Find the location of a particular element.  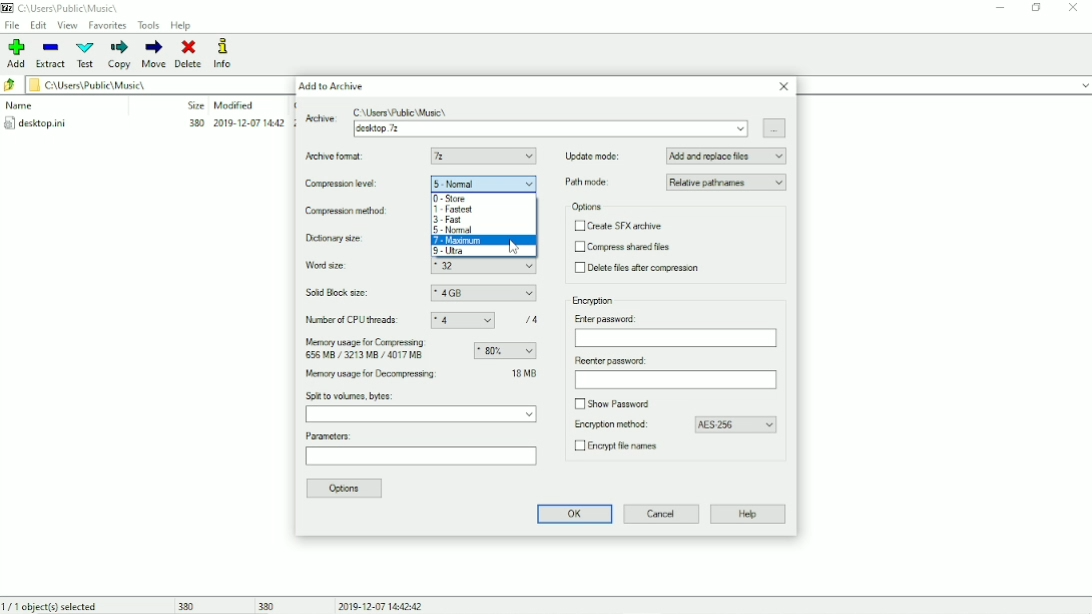

7 - Maximum is located at coordinates (485, 241).